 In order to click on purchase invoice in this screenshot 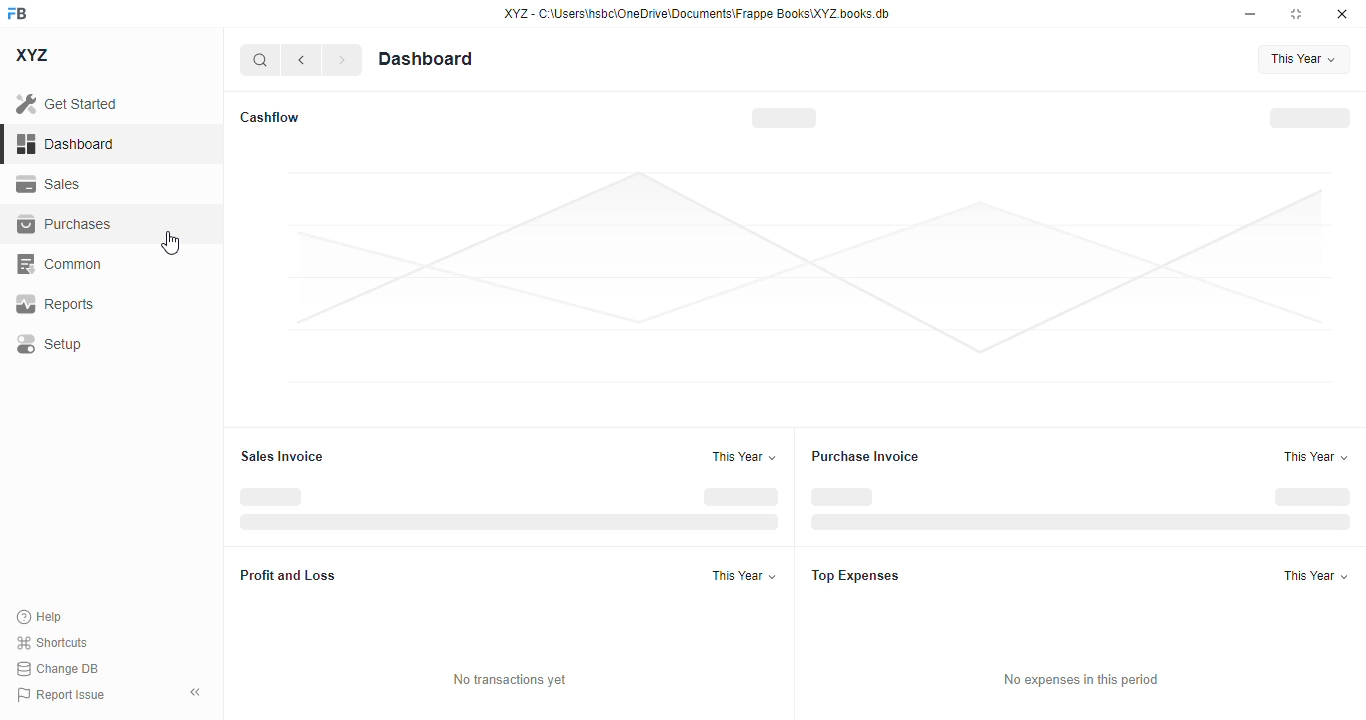, I will do `click(865, 456)`.